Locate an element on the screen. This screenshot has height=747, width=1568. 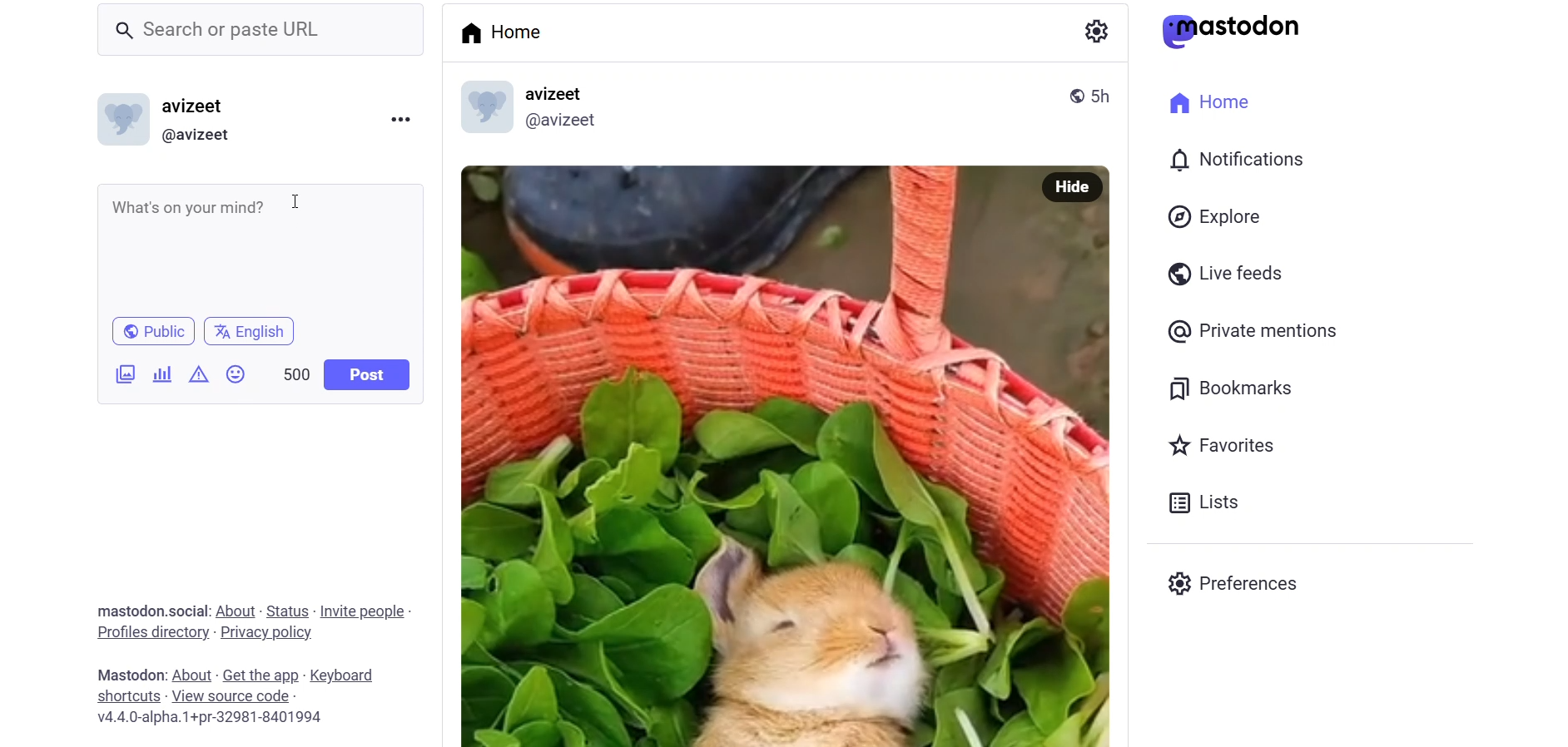
emoji is located at coordinates (236, 376).